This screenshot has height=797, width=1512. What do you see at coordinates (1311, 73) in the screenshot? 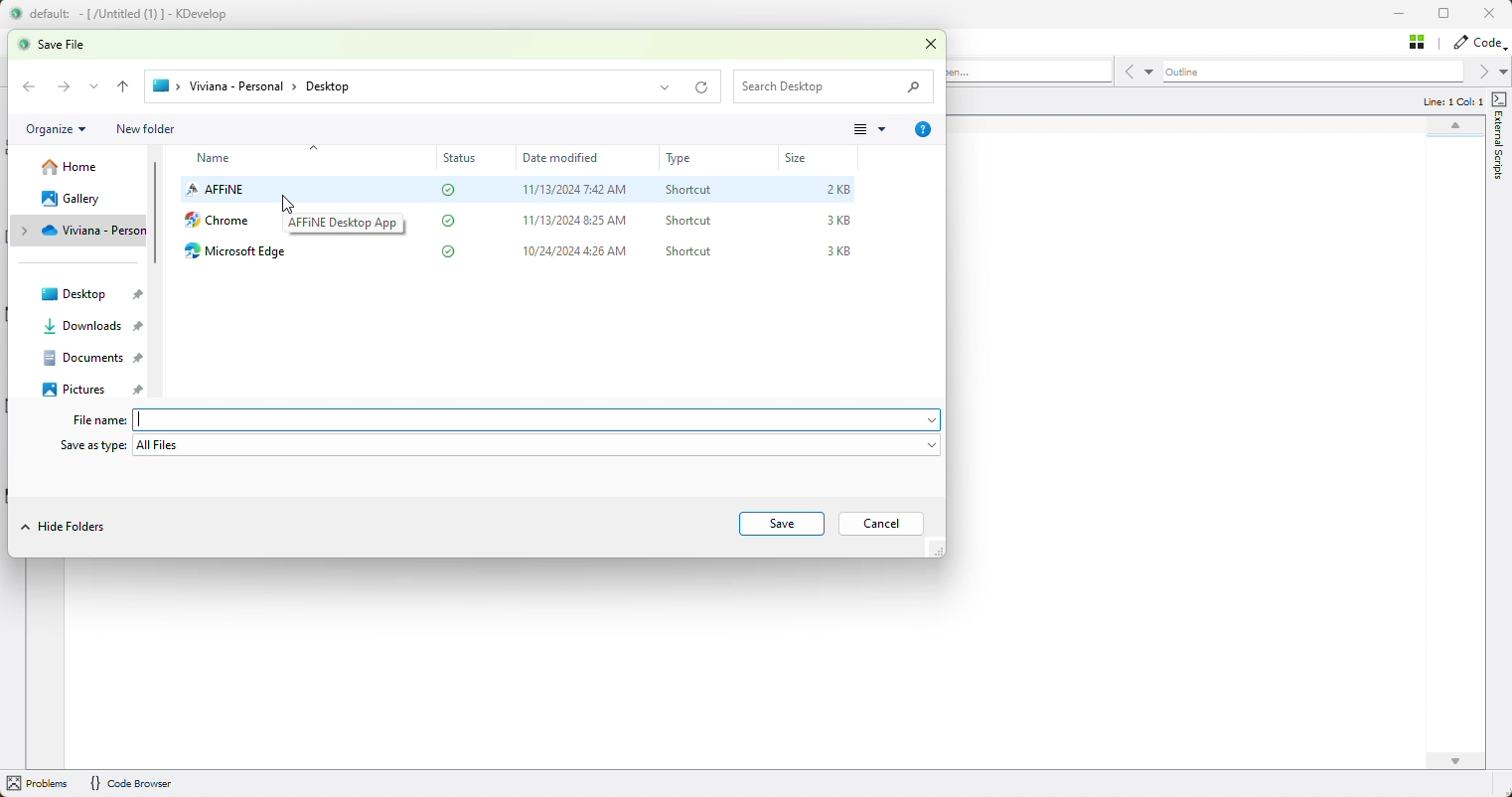
I see `Outline` at bounding box center [1311, 73].